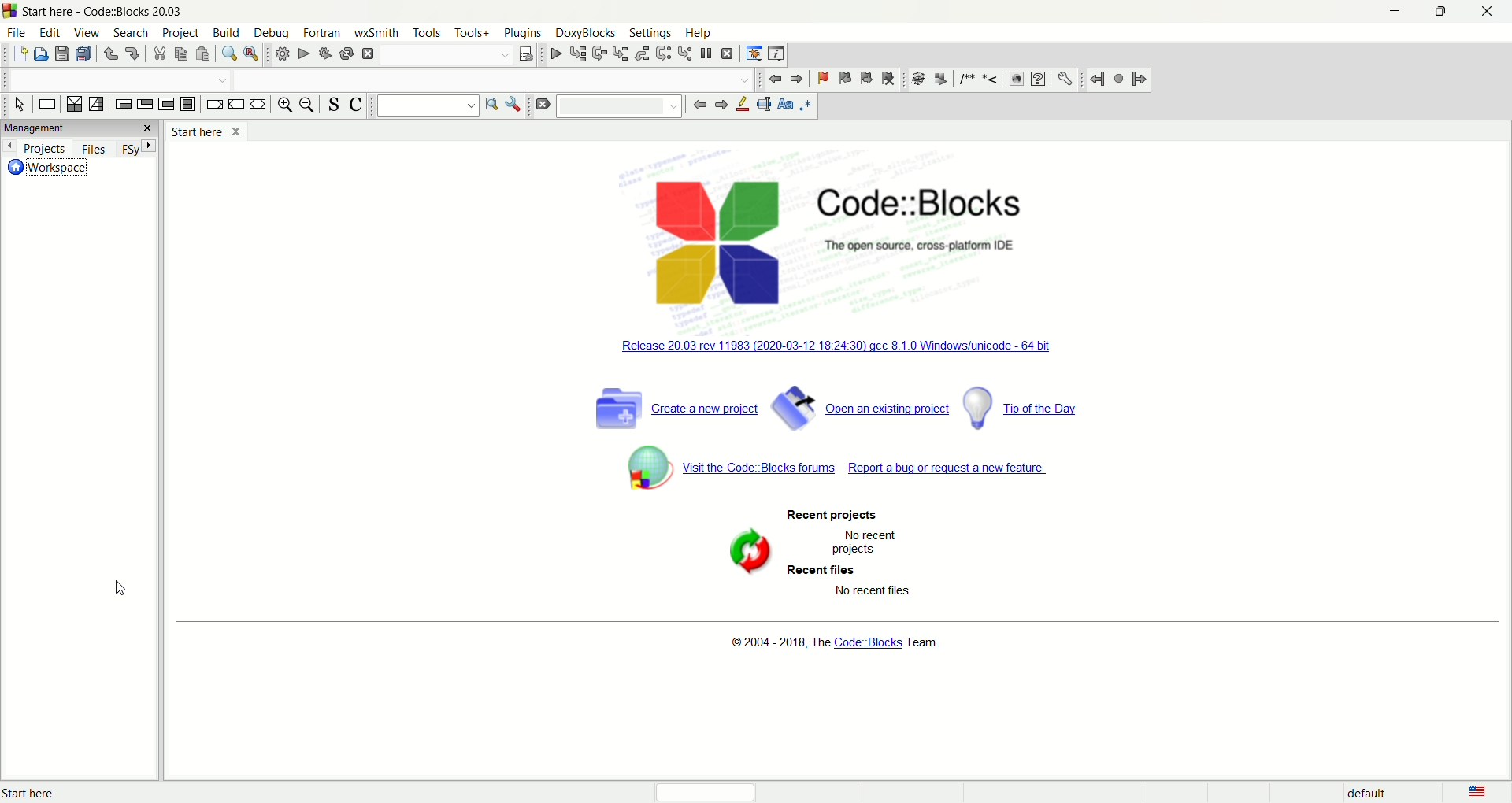 The width and height of the screenshot is (1512, 803). What do you see at coordinates (283, 105) in the screenshot?
I see `zoom in` at bounding box center [283, 105].